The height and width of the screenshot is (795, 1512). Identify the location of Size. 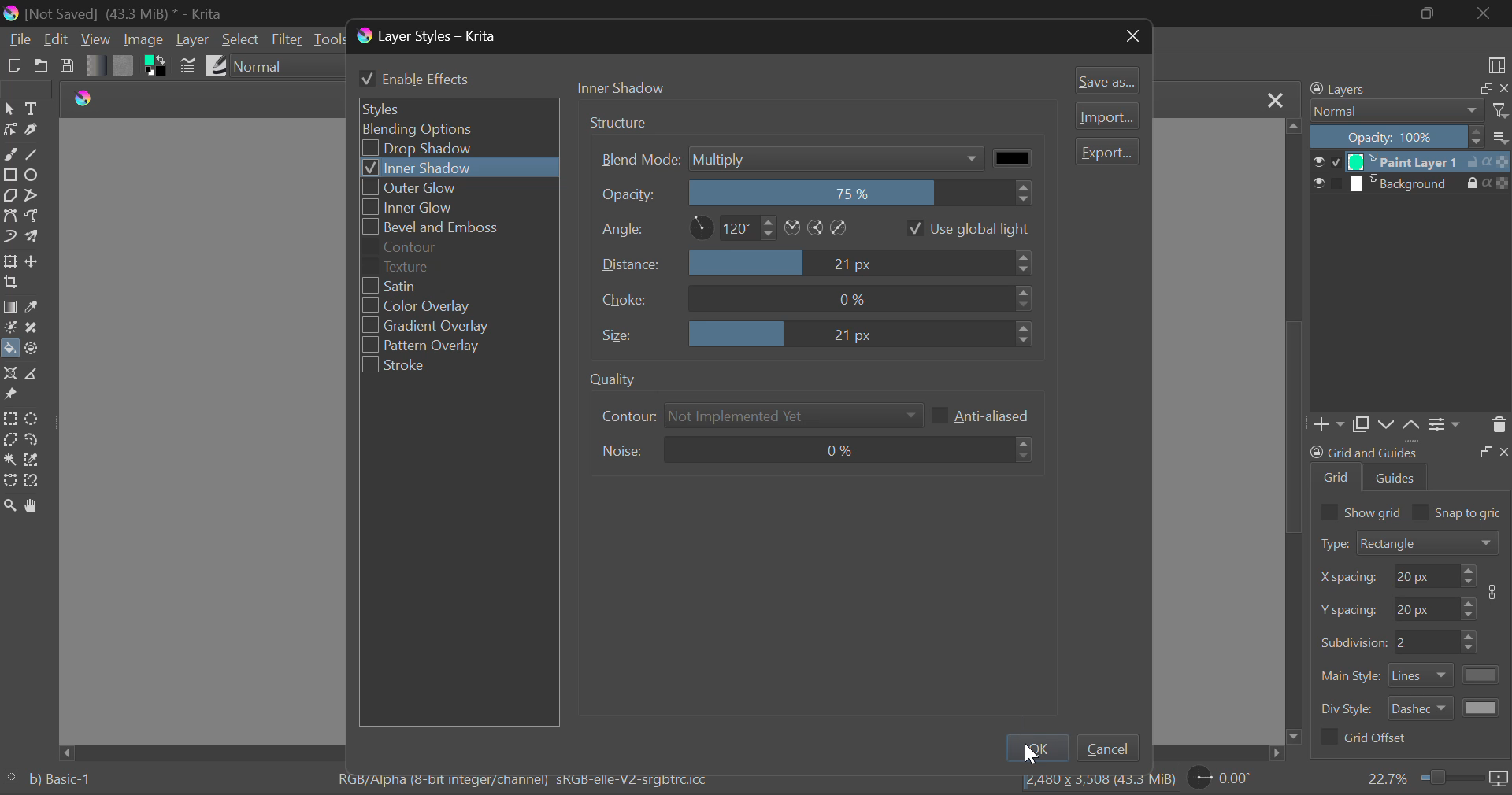
(814, 338).